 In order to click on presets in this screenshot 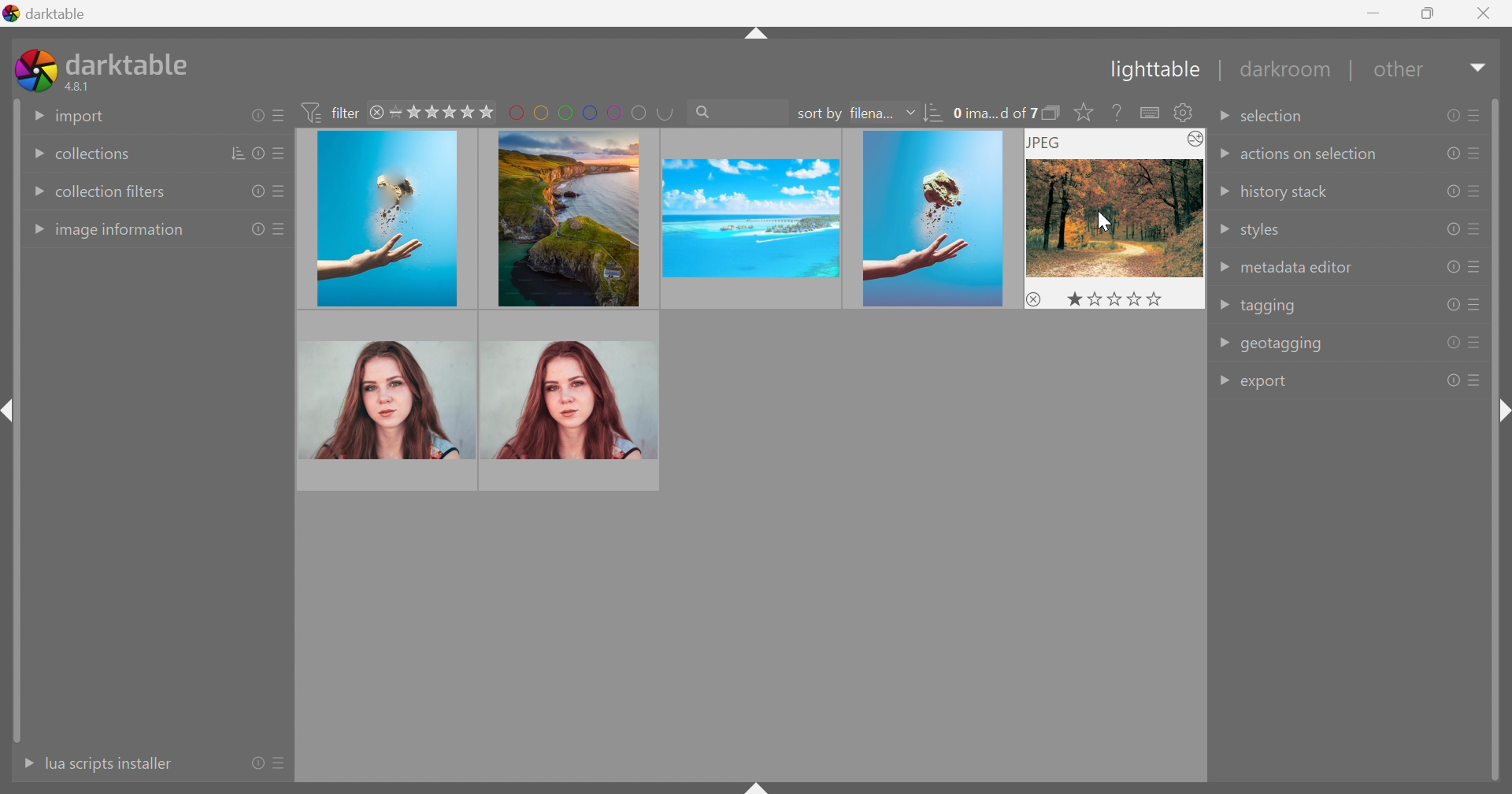, I will do `click(1480, 343)`.